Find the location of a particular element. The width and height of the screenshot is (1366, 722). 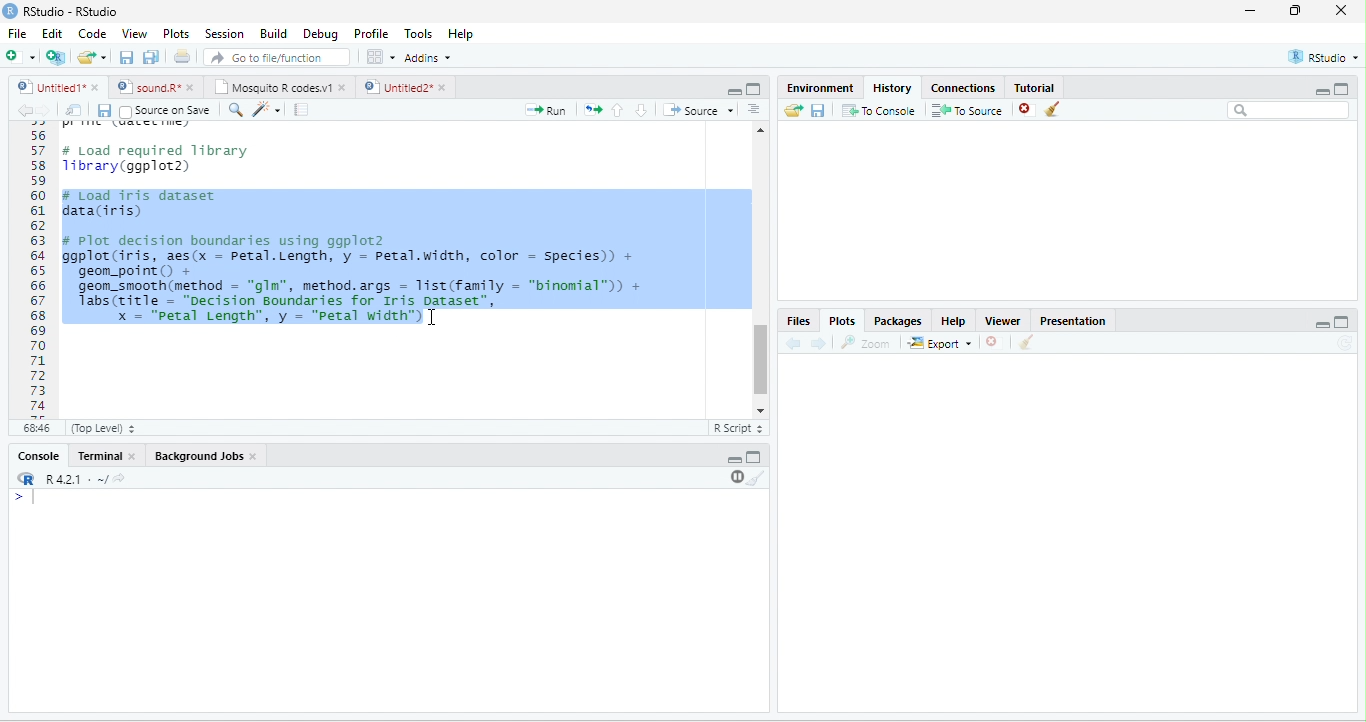

Untitled2 is located at coordinates (396, 87).